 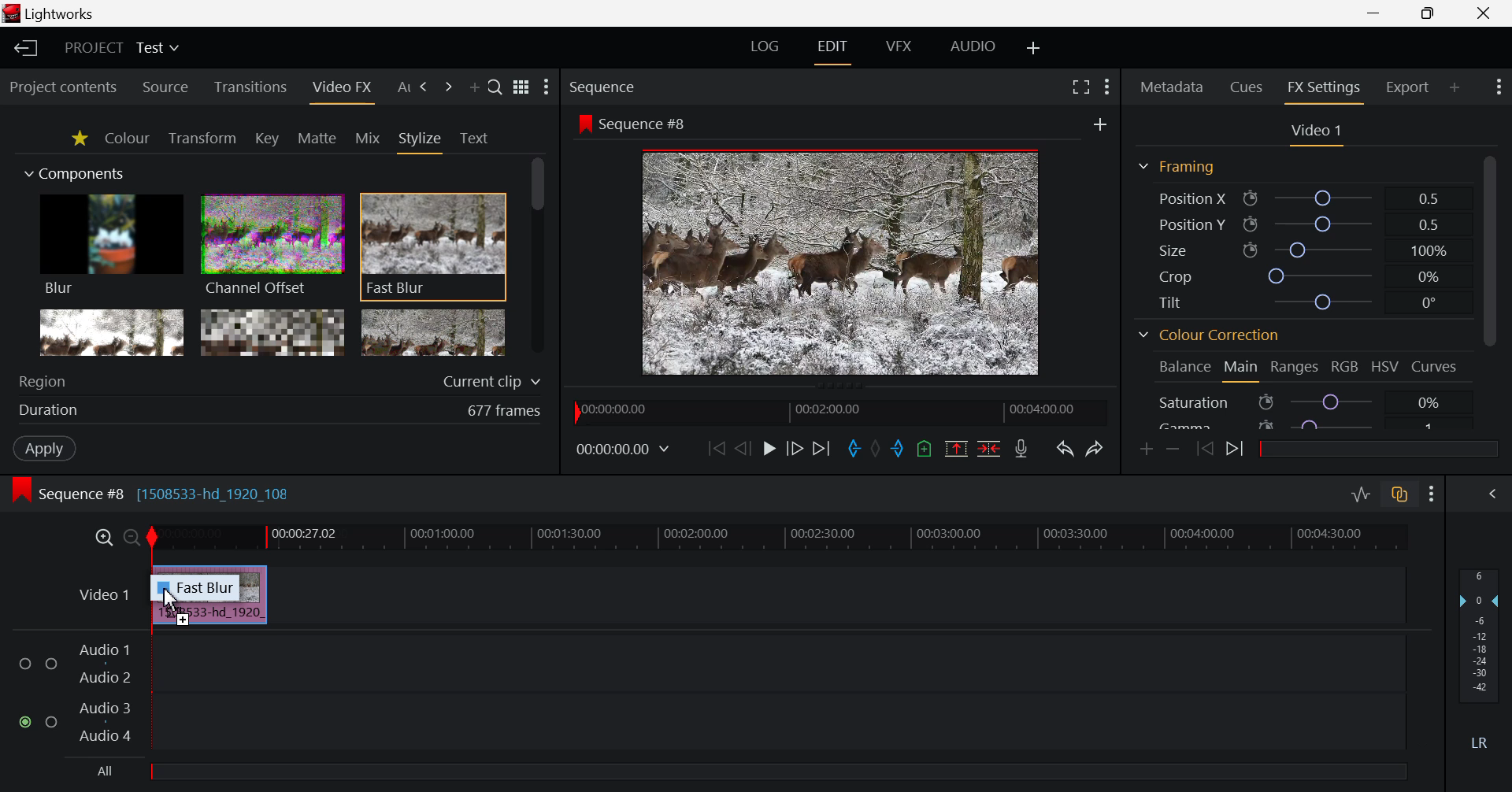 What do you see at coordinates (1315, 132) in the screenshot?
I see `Video Settings Section` at bounding box center [1315, 132].